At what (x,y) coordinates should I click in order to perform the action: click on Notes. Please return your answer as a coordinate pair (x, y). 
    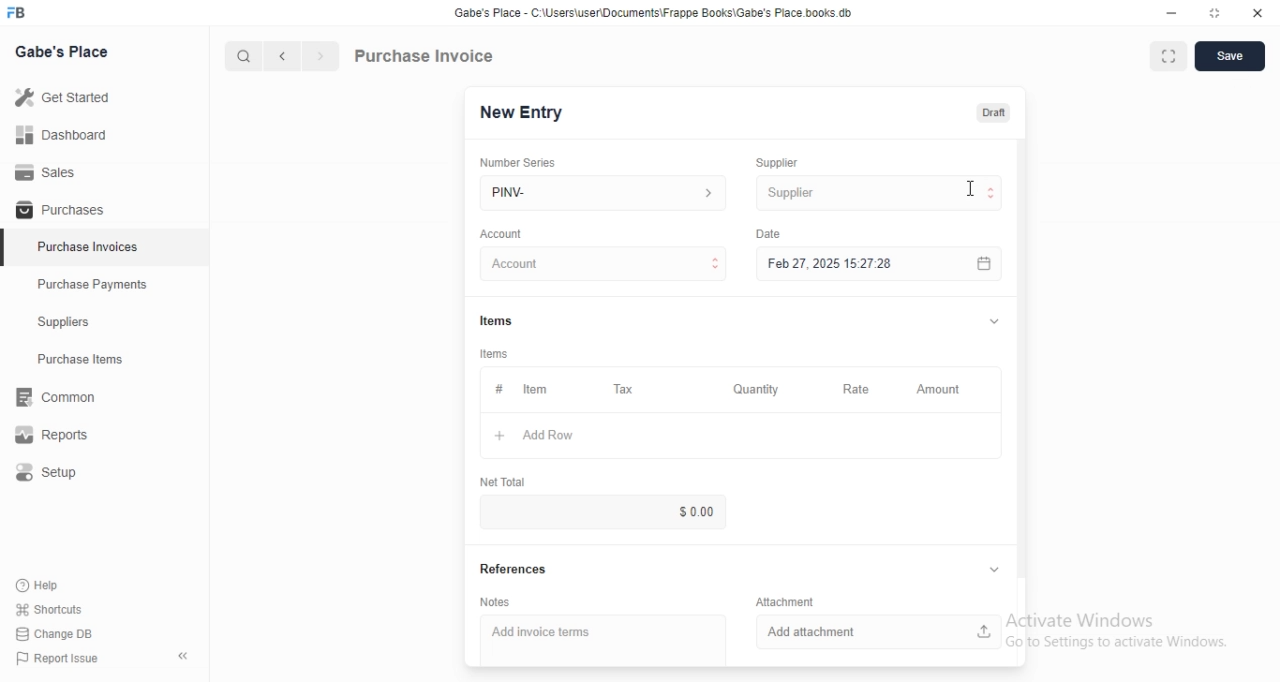
    Looking at the image, I should click on (495, 602).